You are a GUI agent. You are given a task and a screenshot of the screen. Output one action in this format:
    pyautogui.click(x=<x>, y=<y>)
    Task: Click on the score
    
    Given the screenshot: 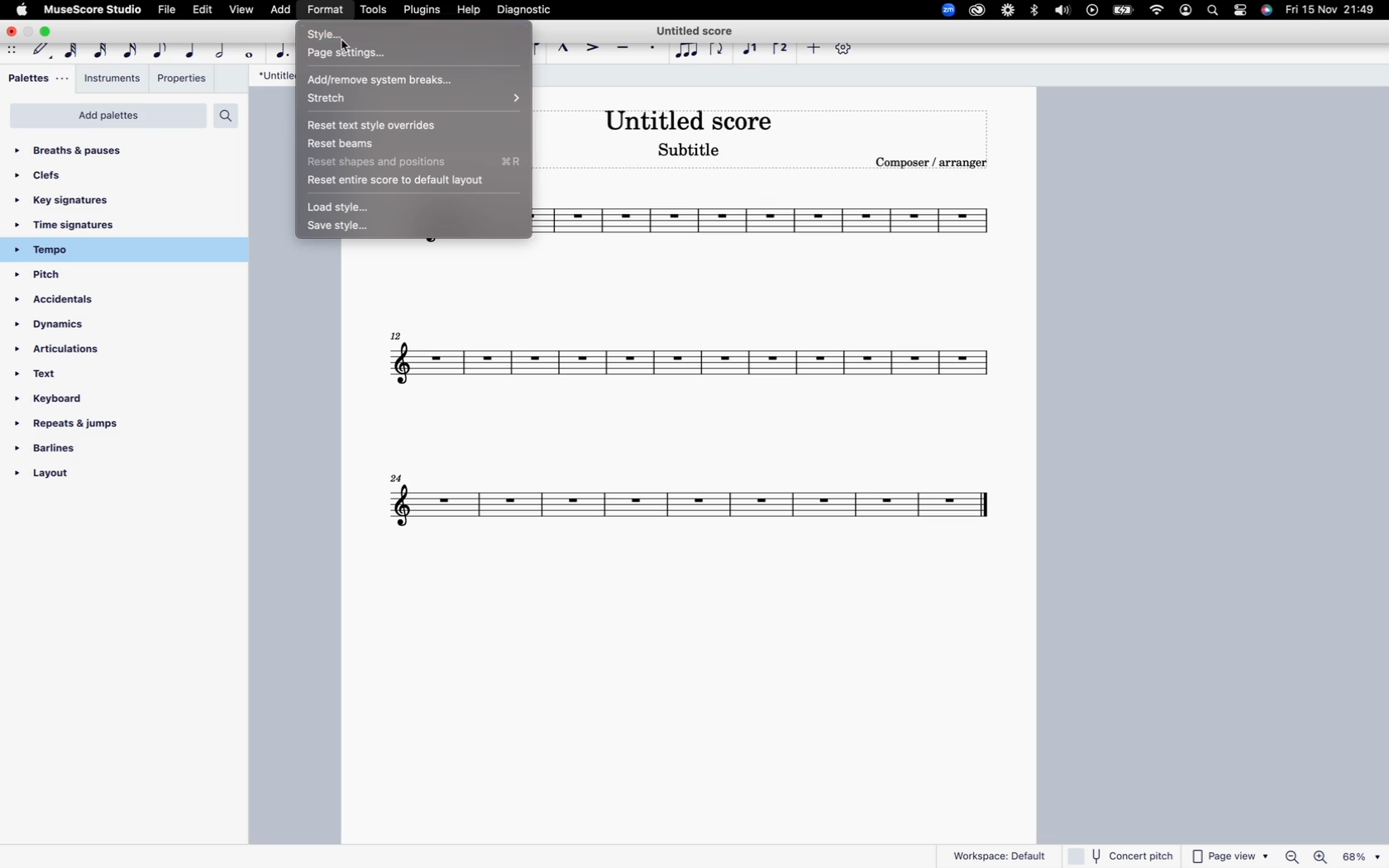 What is the action you would take?
    pyautogui.click(x=696, y=508)
    